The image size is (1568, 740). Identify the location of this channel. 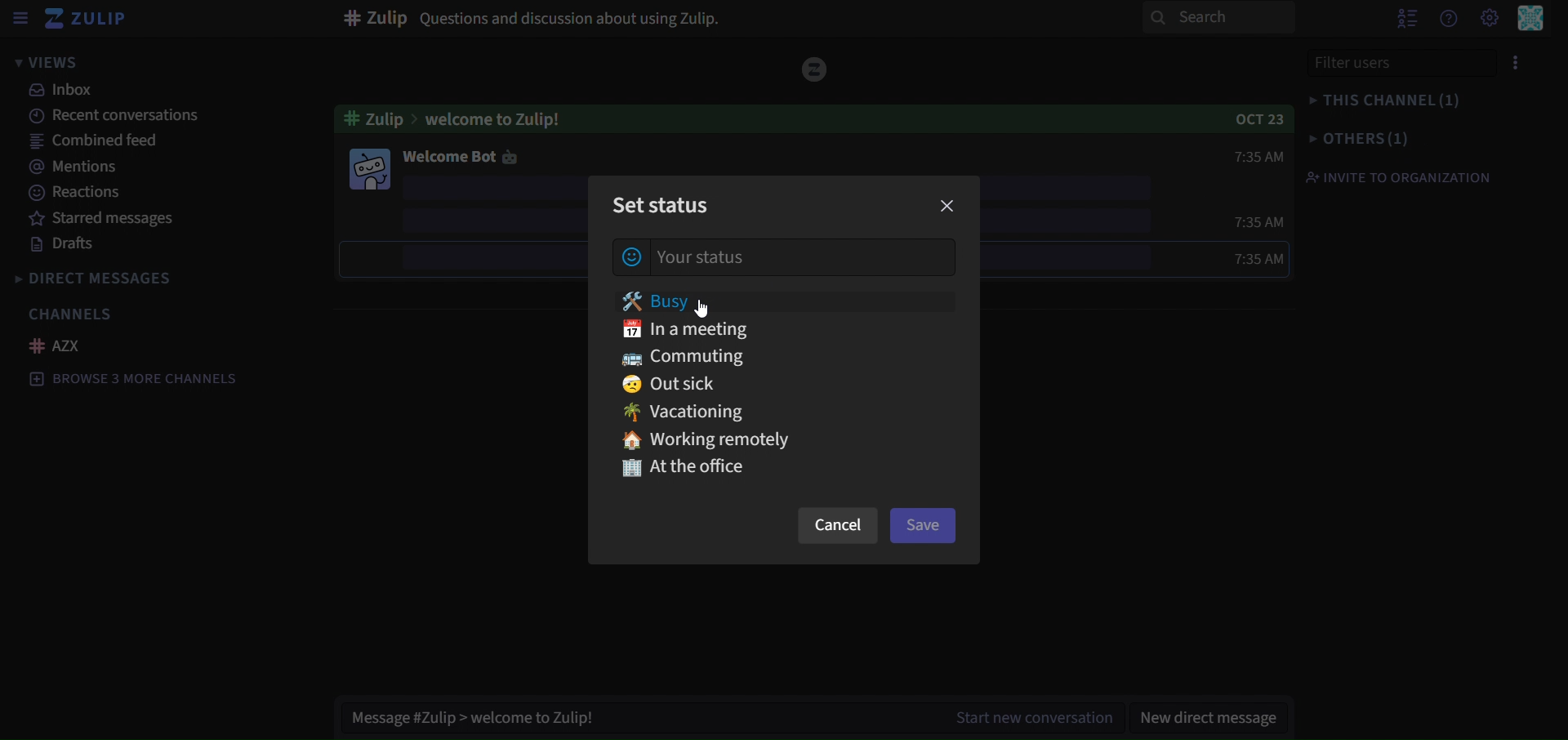
(1383, 99).